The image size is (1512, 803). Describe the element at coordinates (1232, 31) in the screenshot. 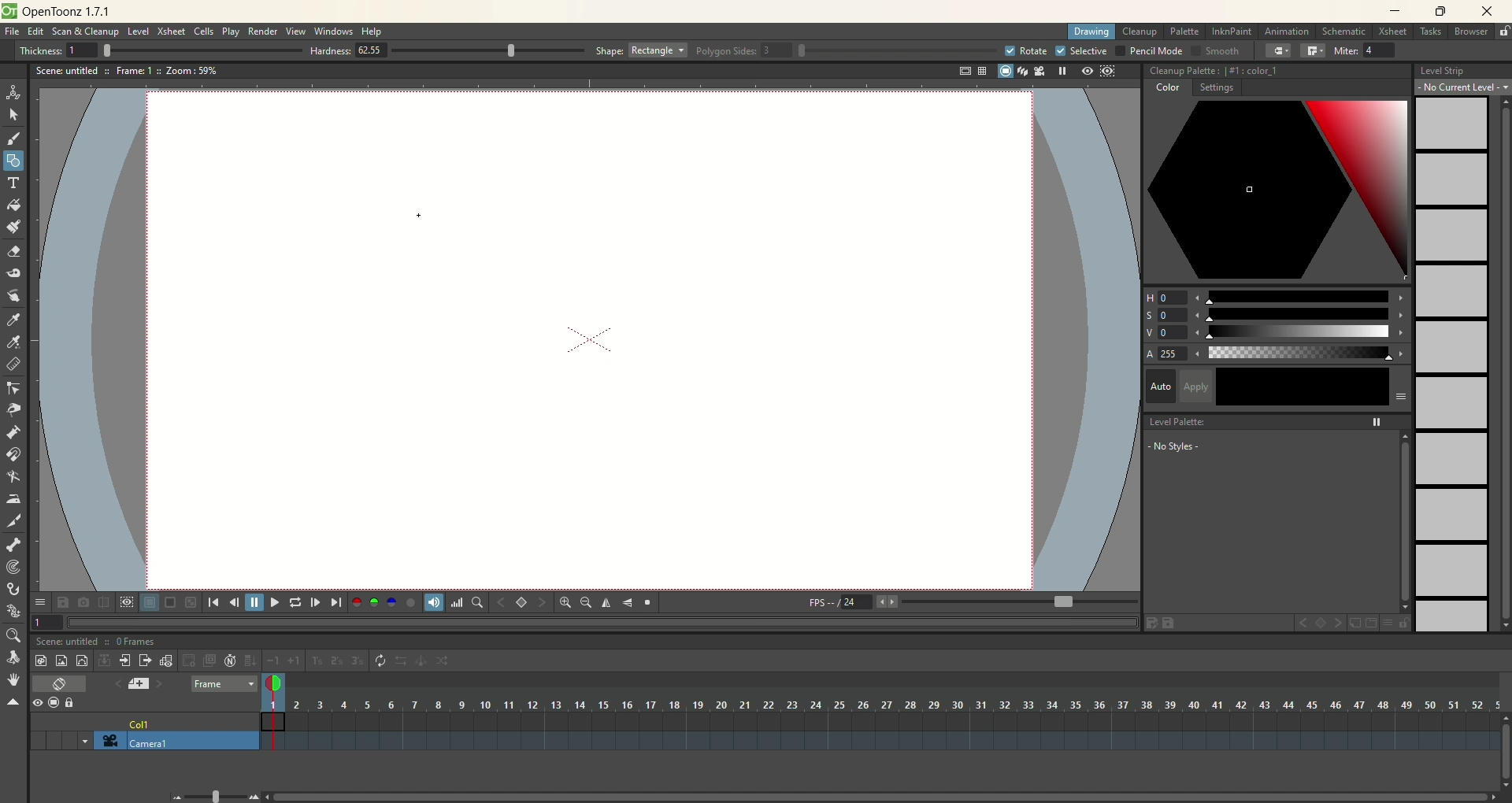

I see `ink paint` at that location.